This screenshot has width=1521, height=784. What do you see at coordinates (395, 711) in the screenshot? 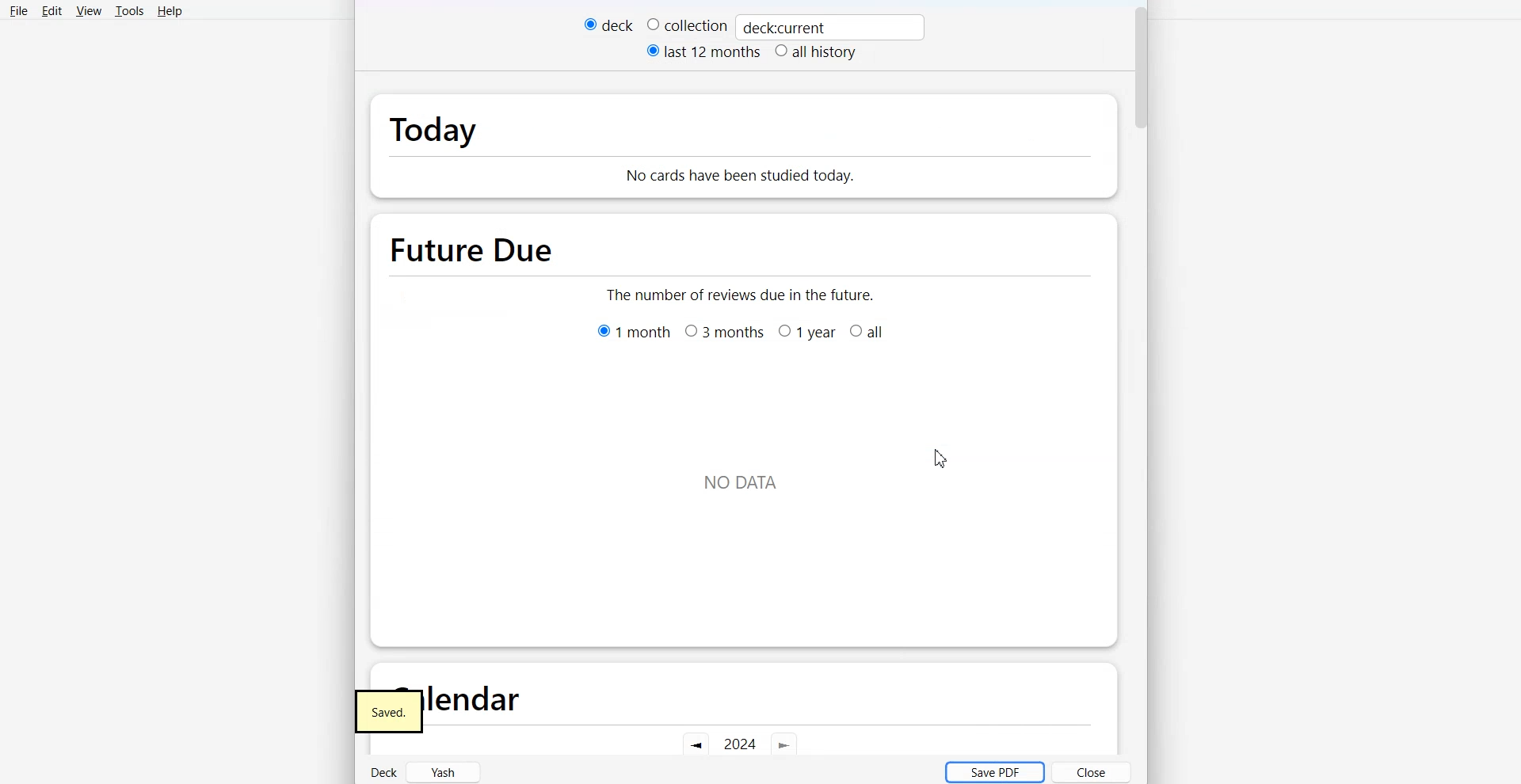
I see `Text ` at bounding box center [395, 711].